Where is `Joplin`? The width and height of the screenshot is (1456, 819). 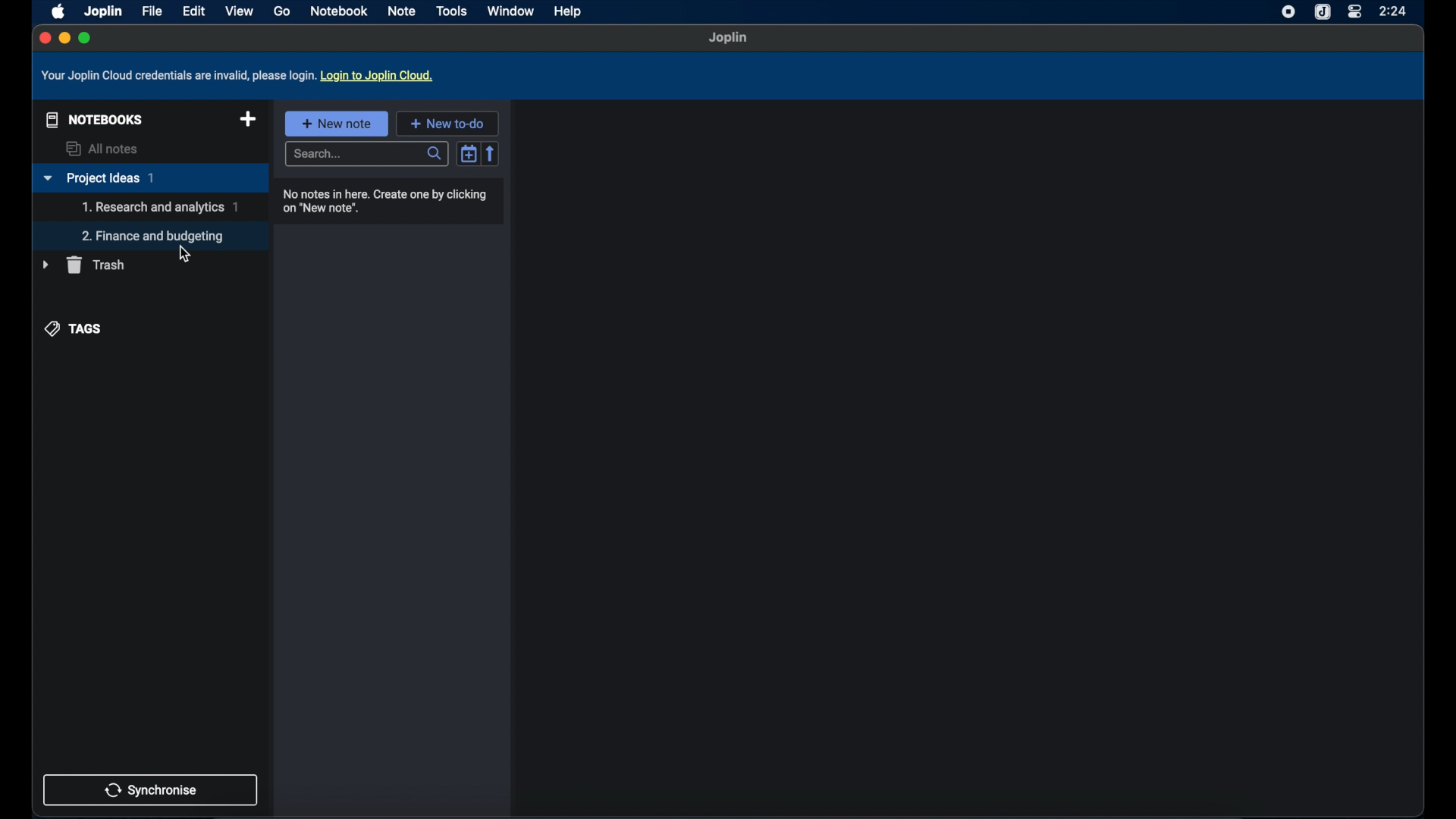
Joplin is located at coordinates (729, 39).